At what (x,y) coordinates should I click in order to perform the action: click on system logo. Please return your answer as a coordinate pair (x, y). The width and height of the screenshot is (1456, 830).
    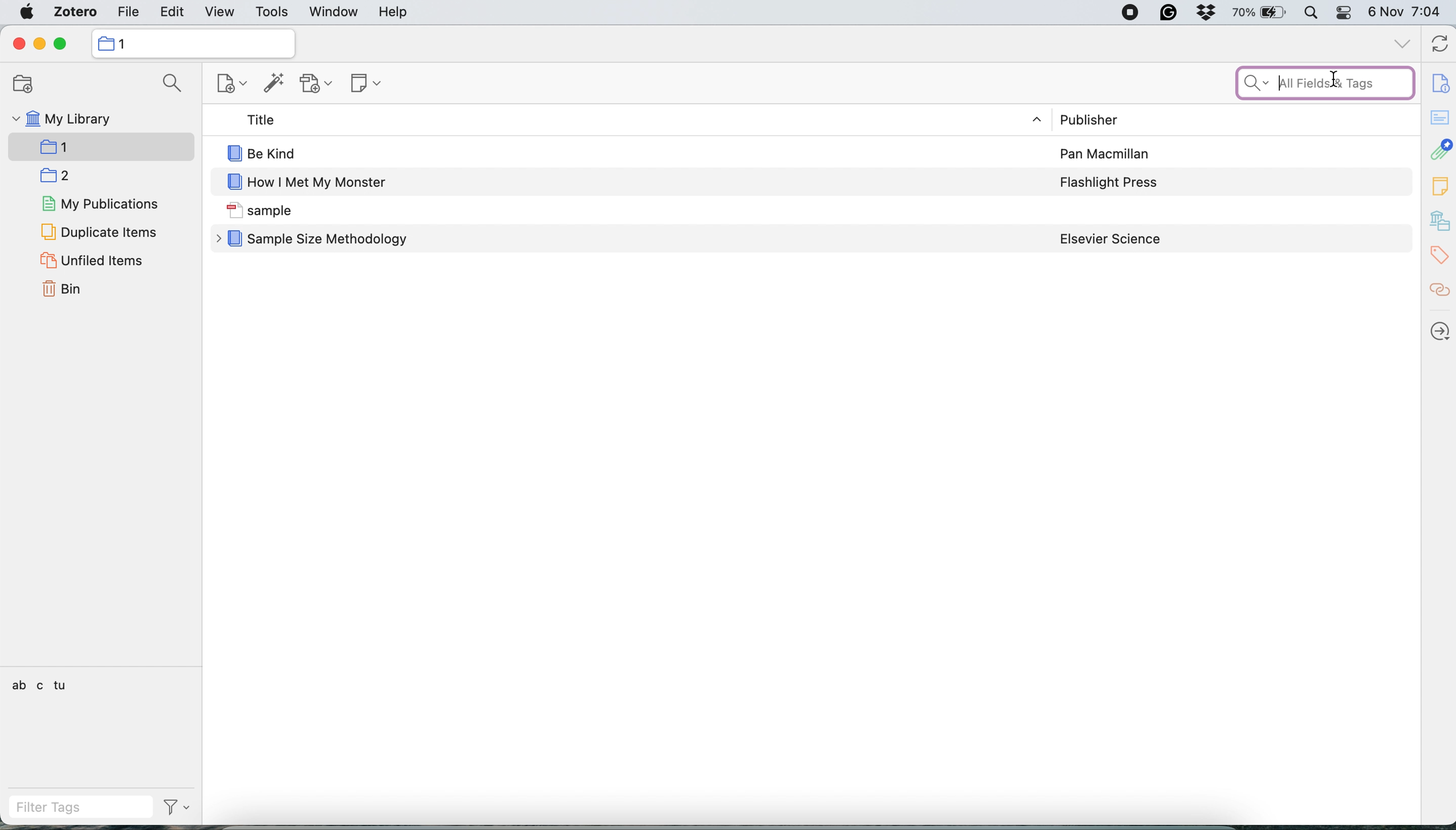
    Looking at the image, I should click on (24, 13).